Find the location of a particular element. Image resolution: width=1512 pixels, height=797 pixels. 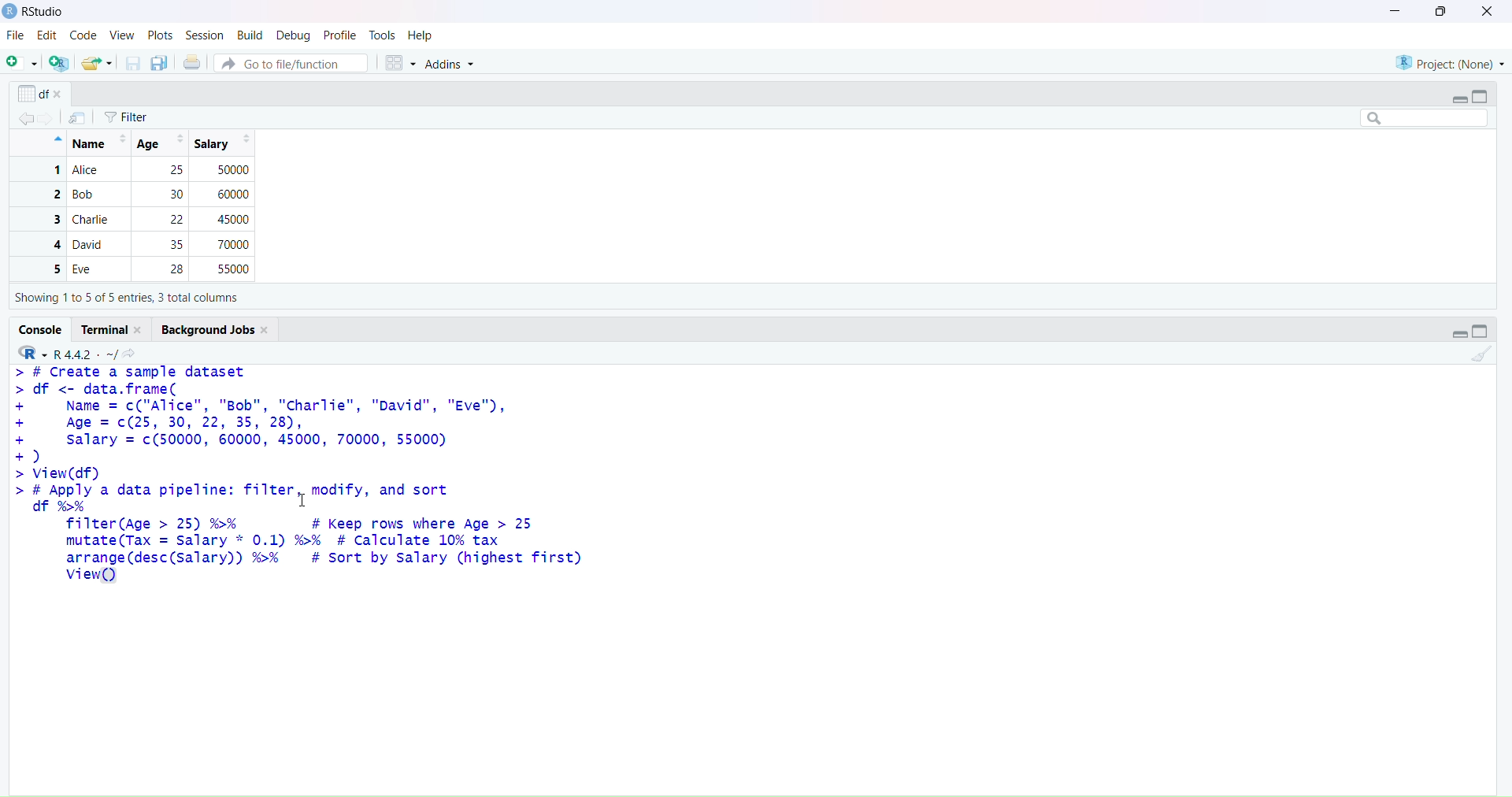

tools is located at coordinates (384, 34).